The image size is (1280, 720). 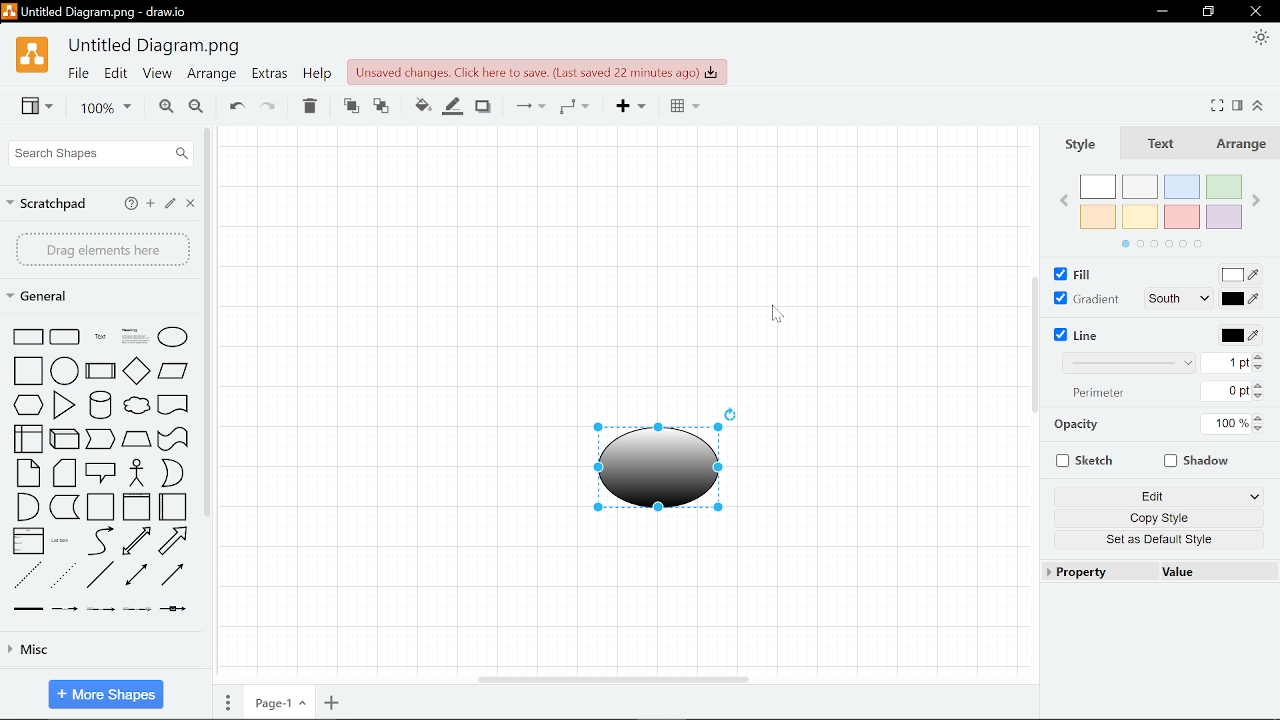 What do you see at coordinates (1057, 201) in the screenshot?
I see `Previous Color palette` at bounding box center [1057, 201].